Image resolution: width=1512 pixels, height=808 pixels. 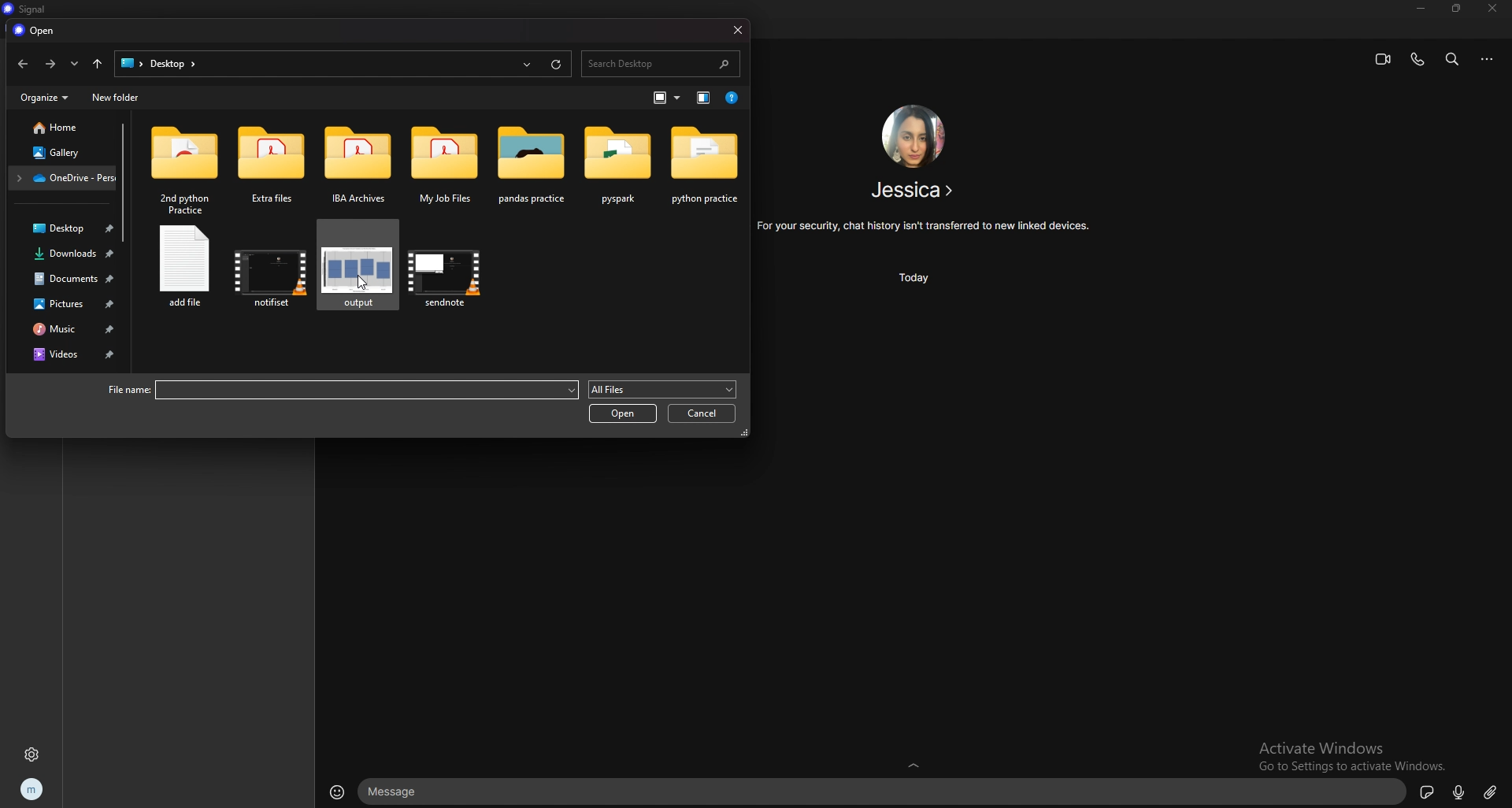 What do you see at coordinates (98, 65) in the screenshot?
I see `upto desktop` at bounding box center [98, 65].